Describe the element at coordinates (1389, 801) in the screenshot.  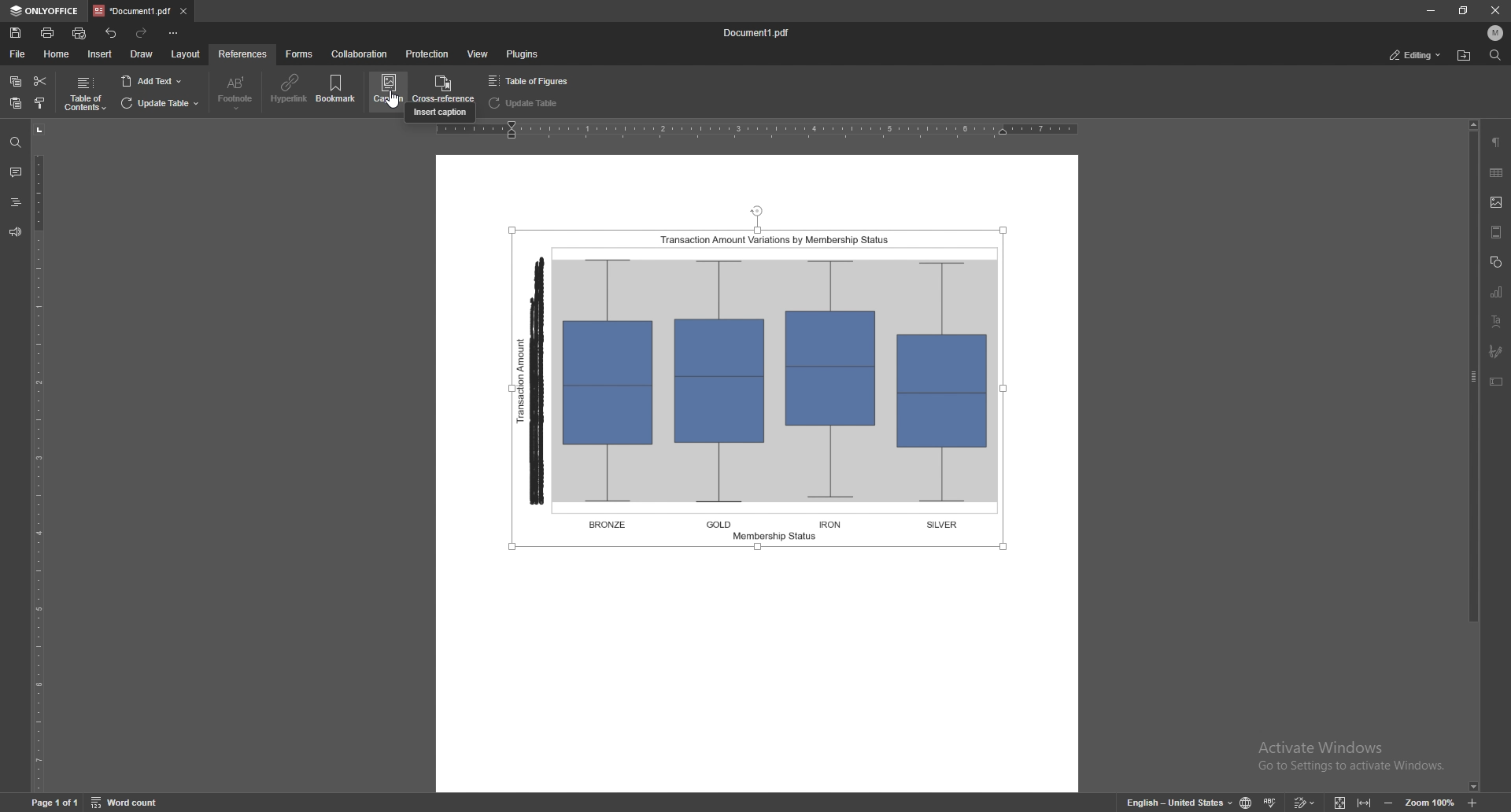
I see `zoom out` at that location.